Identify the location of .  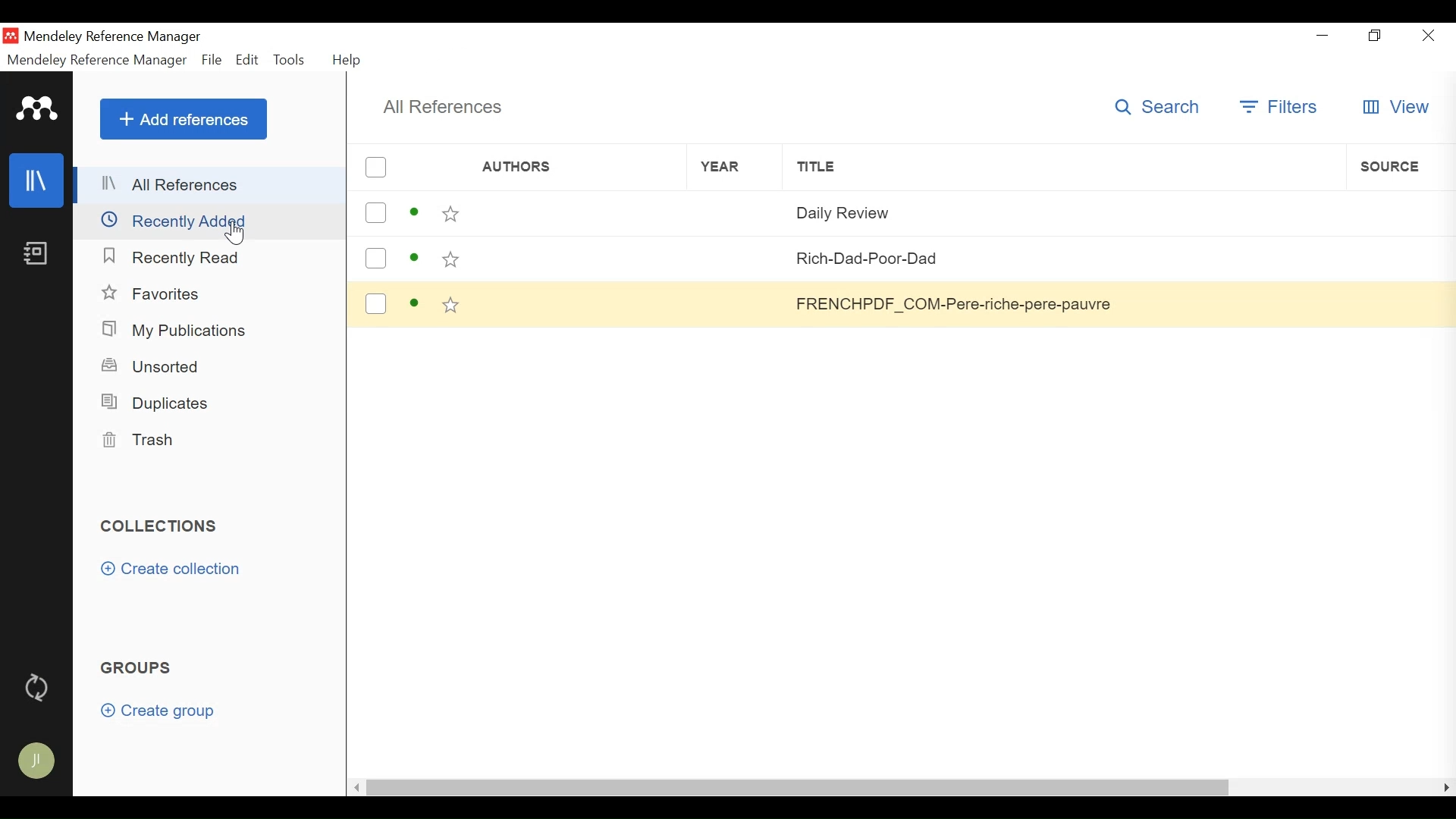
(1395, 303).